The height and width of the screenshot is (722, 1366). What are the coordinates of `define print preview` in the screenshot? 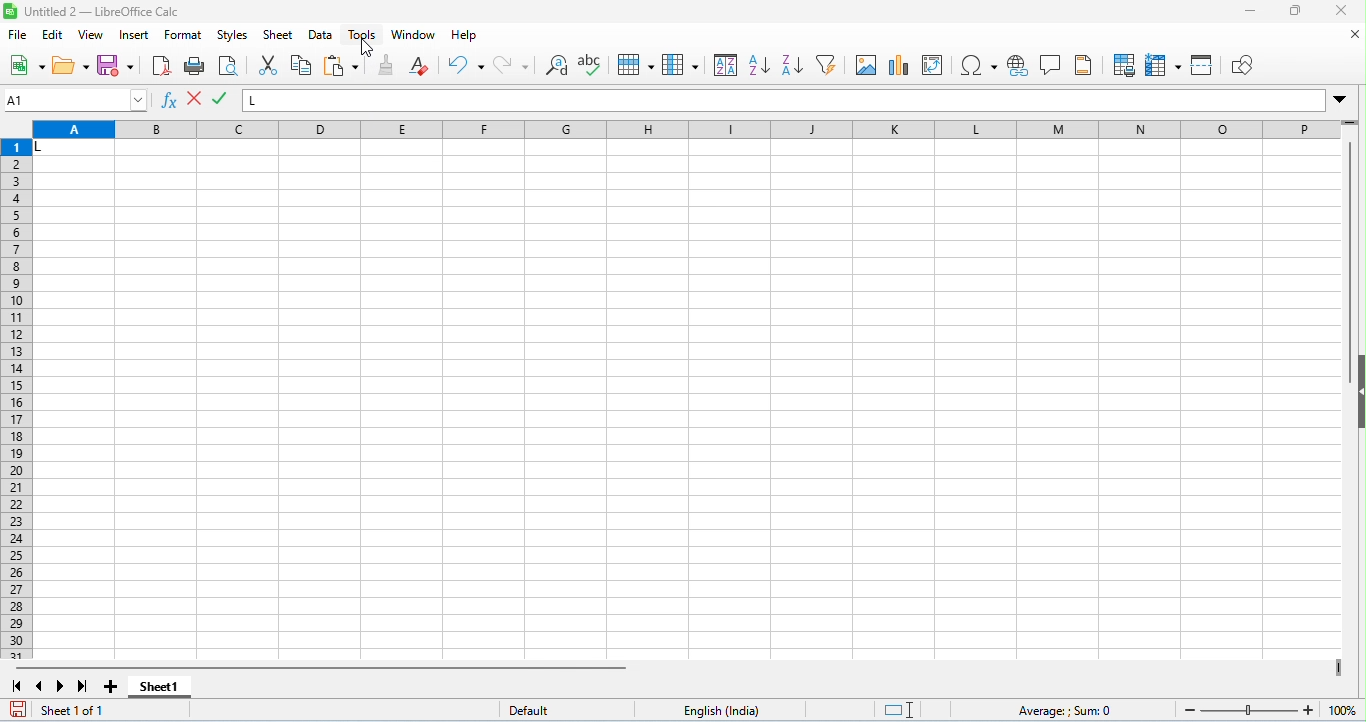 It's located at (1126, 65).